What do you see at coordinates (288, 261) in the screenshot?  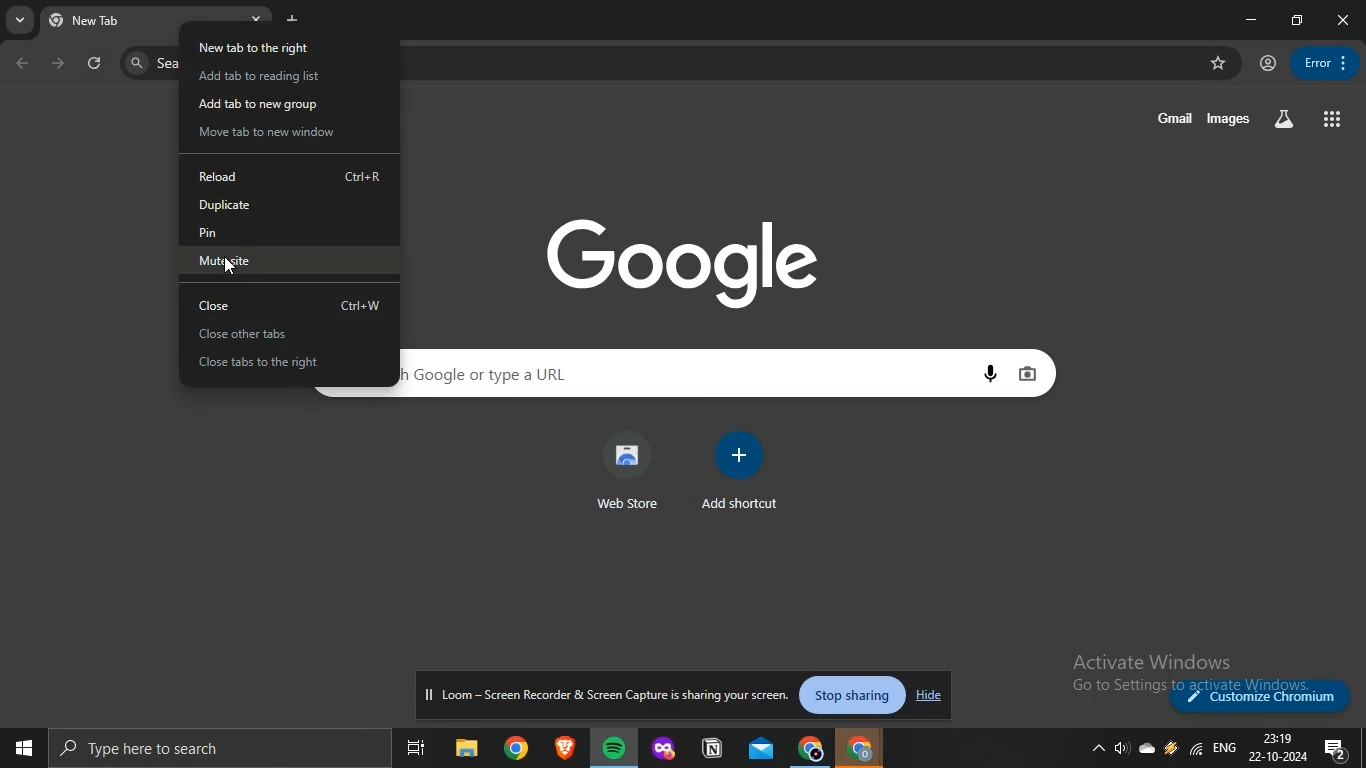 I see `mute site` at bounding box center [288, 261].